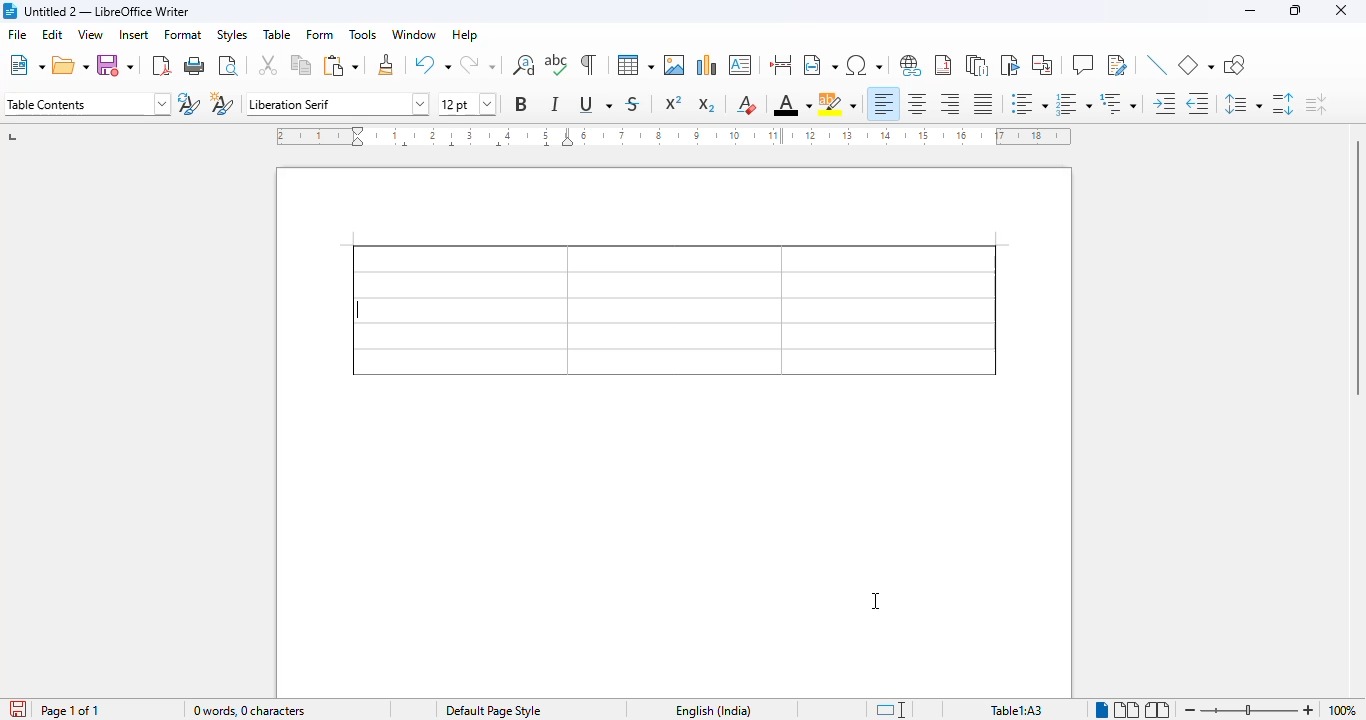  What do you see at coordinates (884, 102) in the screenshot?
I see `align left` at bounding box center [884, 102].